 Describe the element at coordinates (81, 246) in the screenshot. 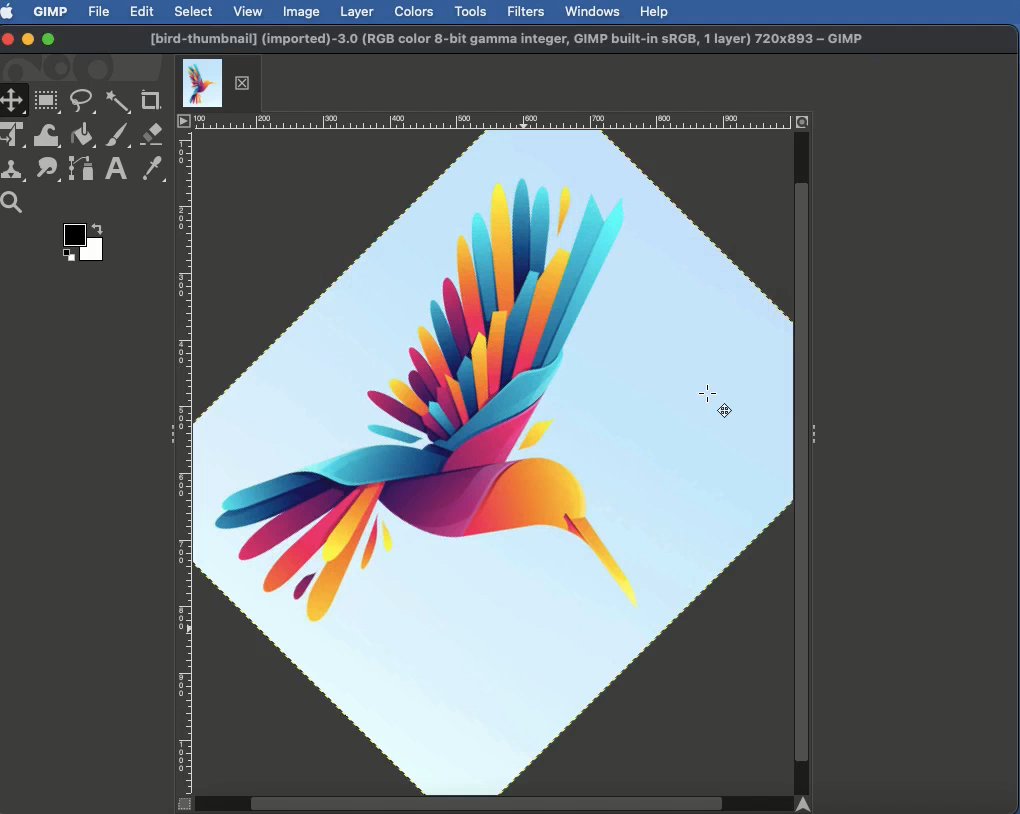

I see `Color` at that location.